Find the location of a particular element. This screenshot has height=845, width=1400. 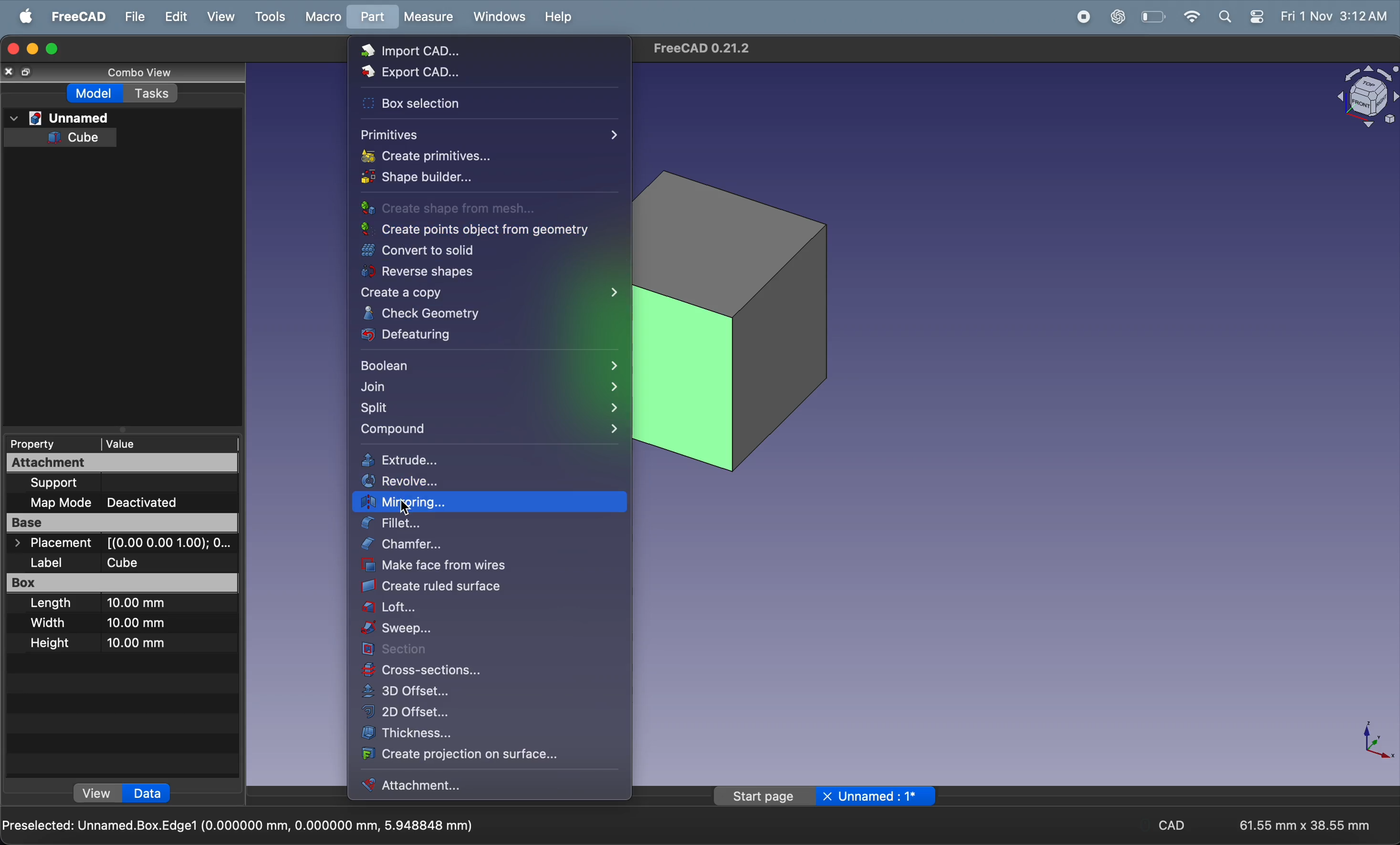

create primitives is located at coordinates (484, 156).